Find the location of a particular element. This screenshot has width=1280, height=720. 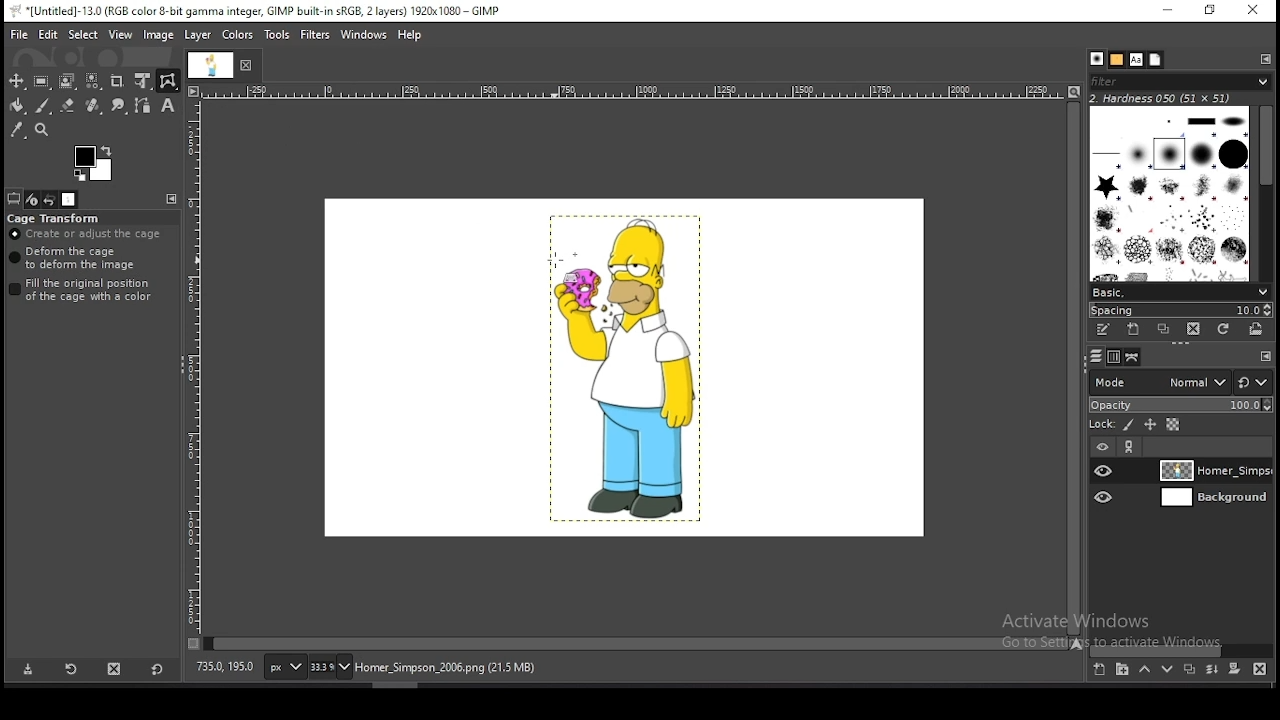

spacing is located at coordinates (1180, 309).